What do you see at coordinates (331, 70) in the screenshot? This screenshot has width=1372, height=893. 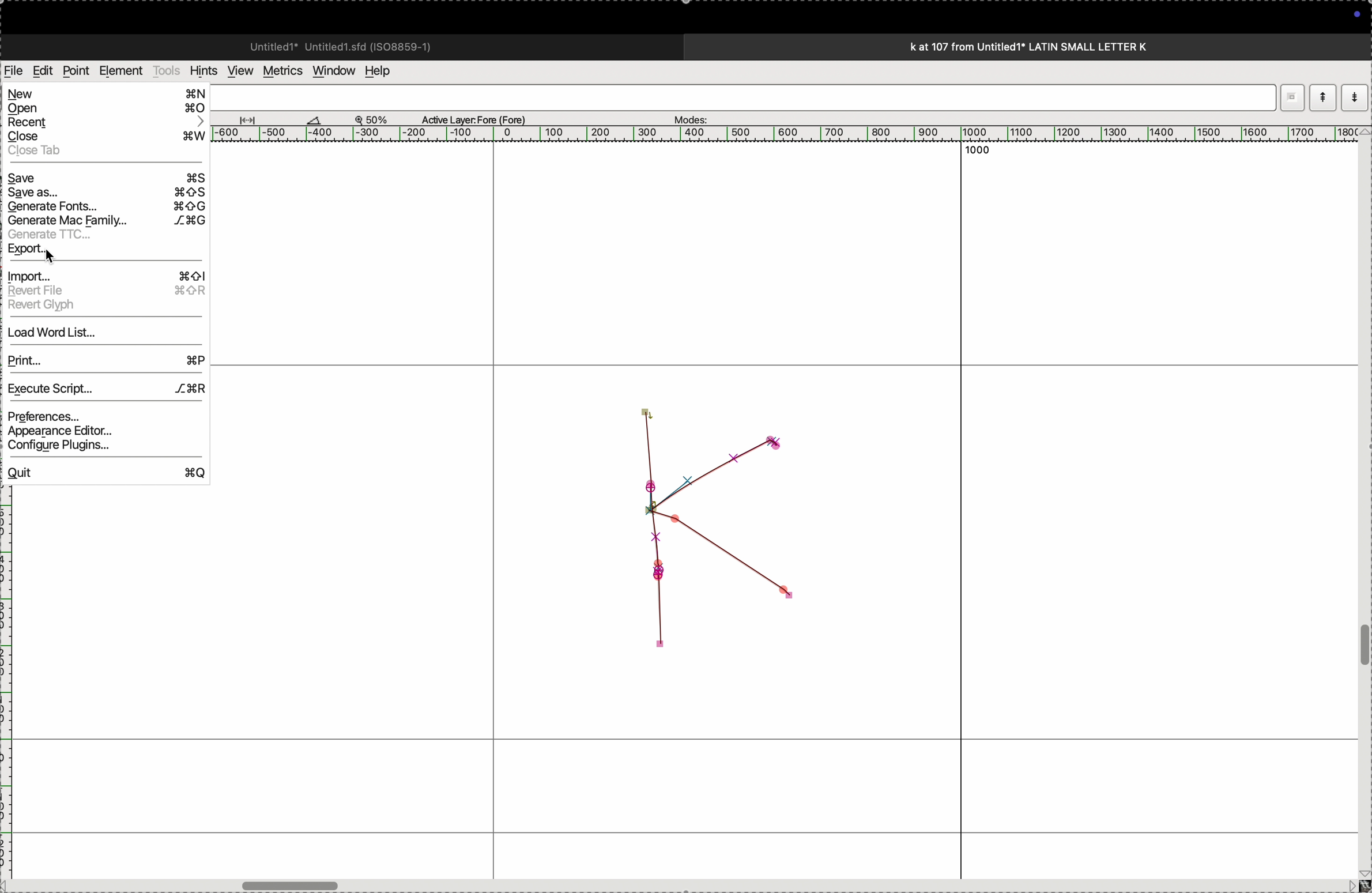 I see `window` at bounding box center [331, 70].